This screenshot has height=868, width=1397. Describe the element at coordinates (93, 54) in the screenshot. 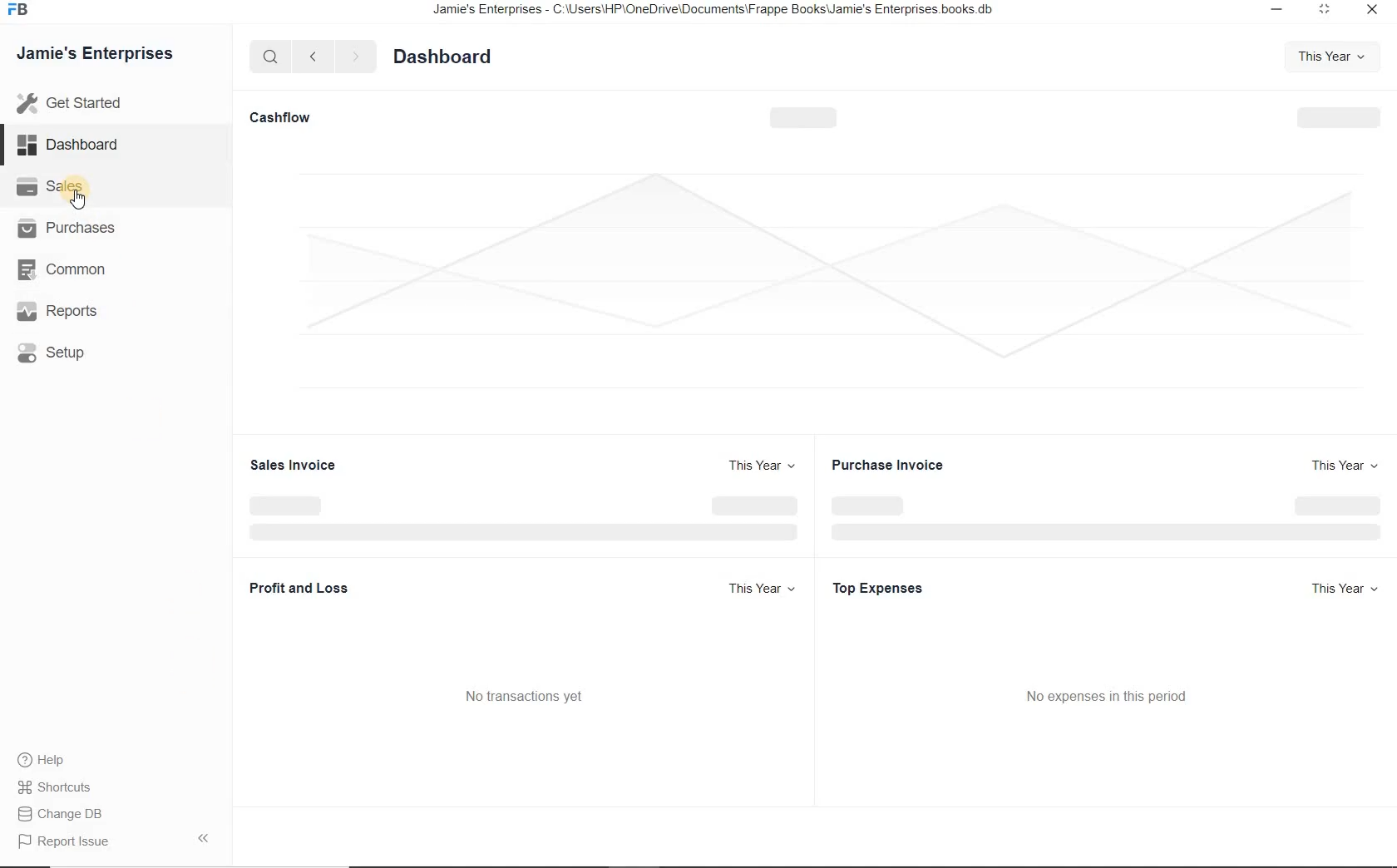

I see `Jamie's Enterprises` at that location.